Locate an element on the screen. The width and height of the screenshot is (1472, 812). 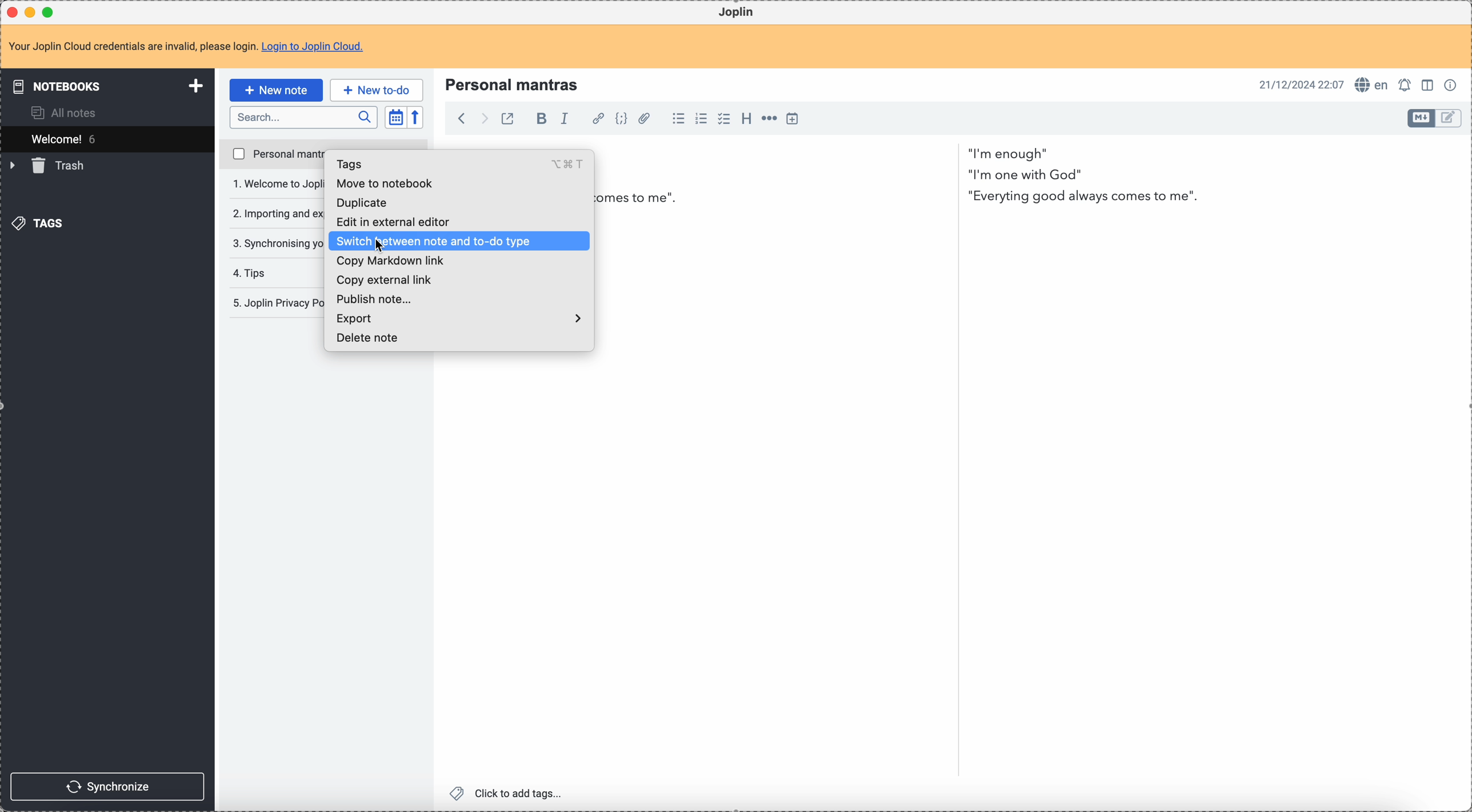
close program is located at coordinates (11, 13).